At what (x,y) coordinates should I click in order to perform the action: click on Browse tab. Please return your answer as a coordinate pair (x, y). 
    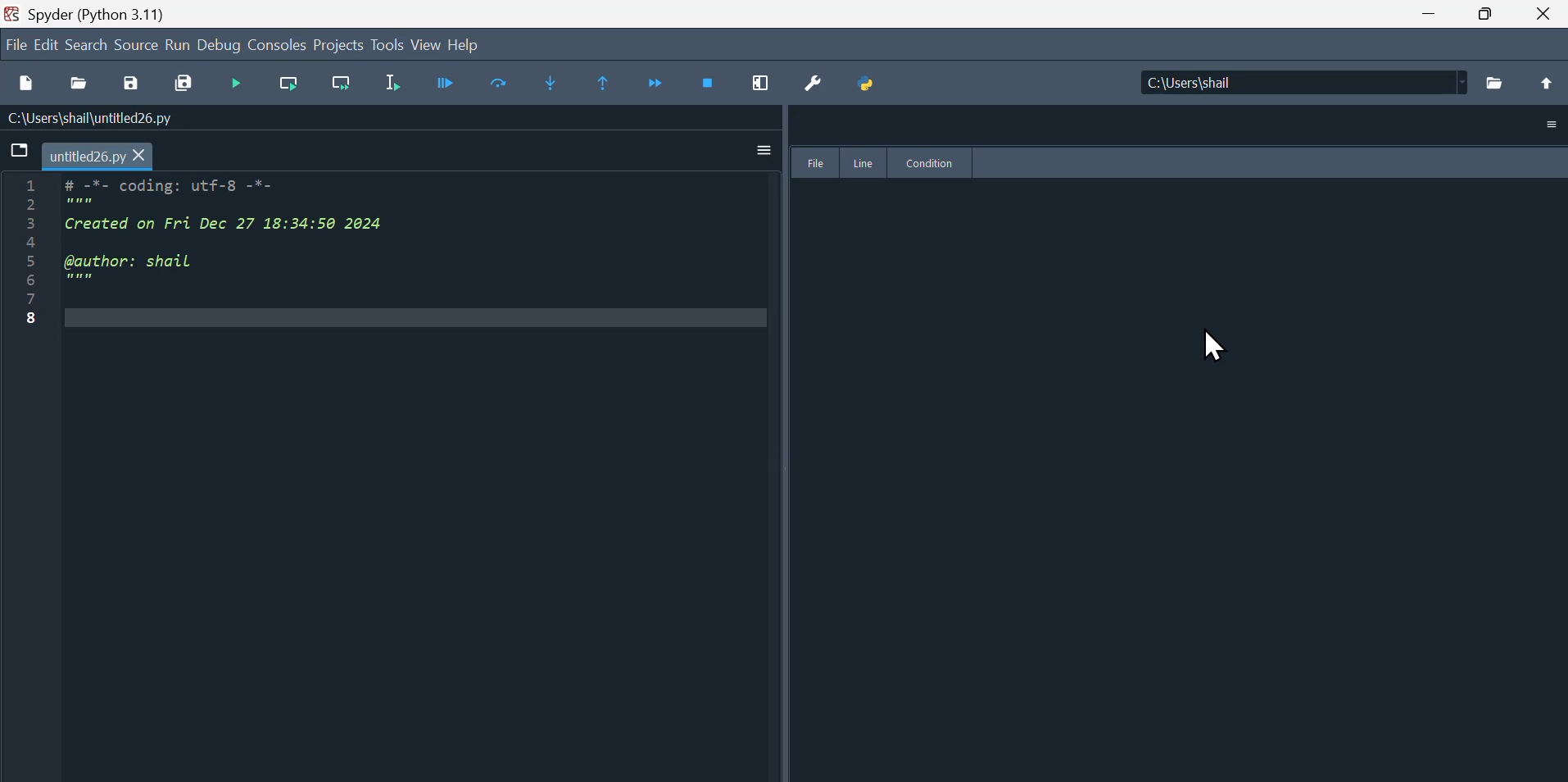
    Looking at the image, I should click on (18, 151).